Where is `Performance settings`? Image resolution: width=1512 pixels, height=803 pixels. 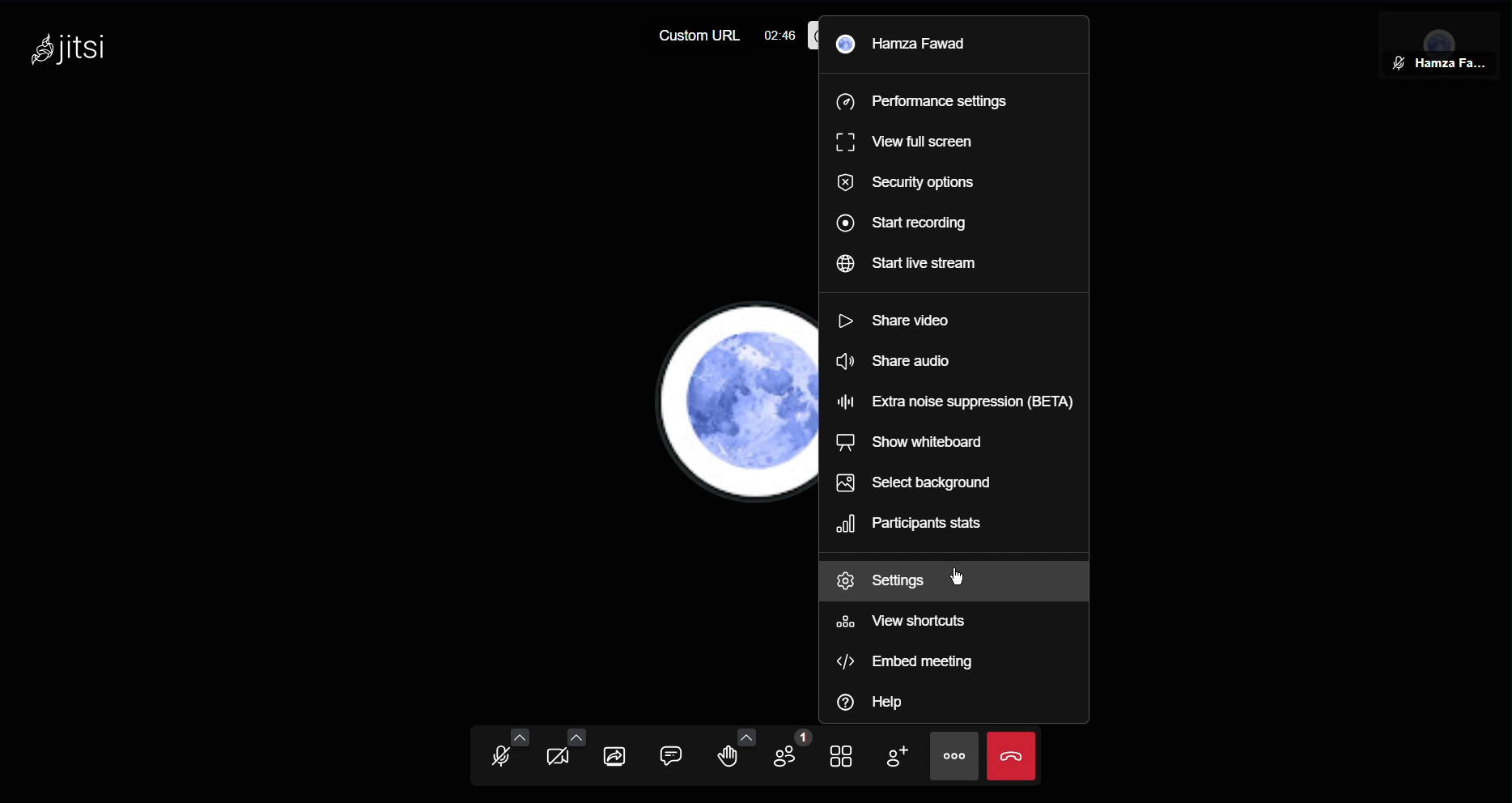
Performance settings is located at coordinates (928, 100).